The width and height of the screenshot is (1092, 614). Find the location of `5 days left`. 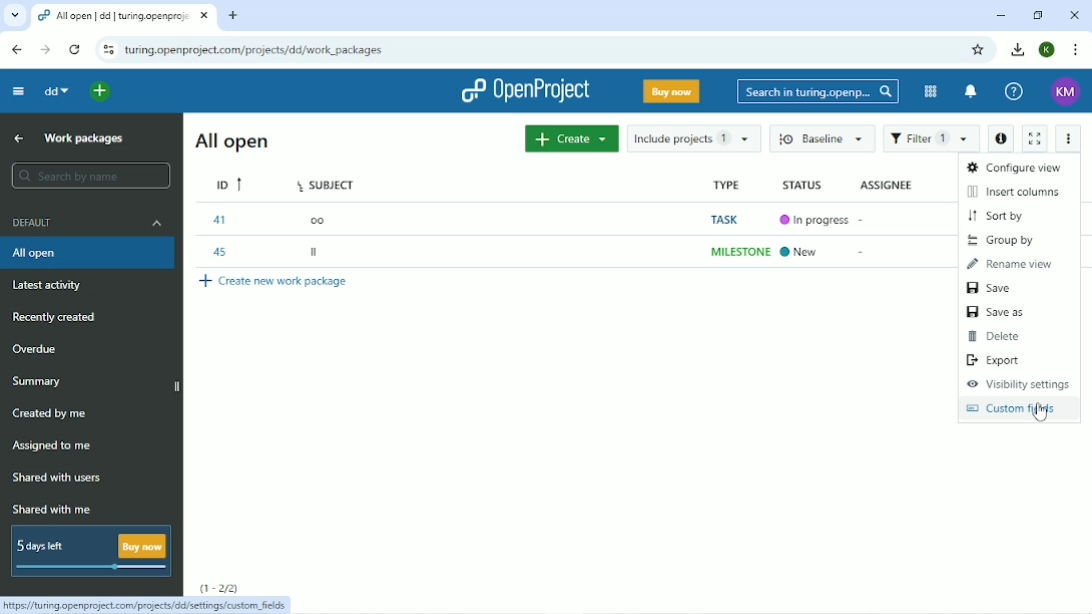

5 days left is located at coordinates (90, 551).